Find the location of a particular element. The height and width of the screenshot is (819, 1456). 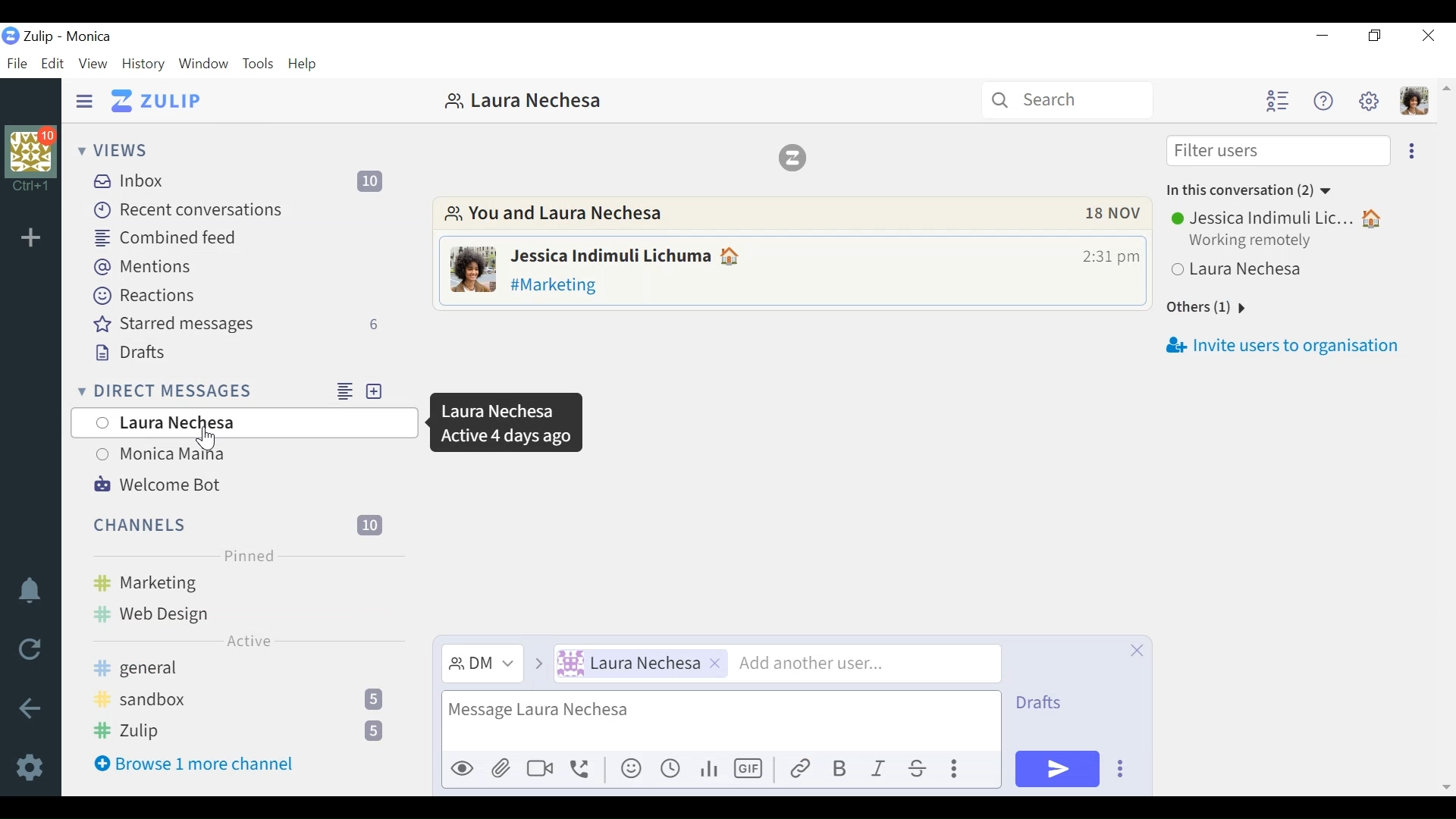

Other is located at coordinates (1204, 309).